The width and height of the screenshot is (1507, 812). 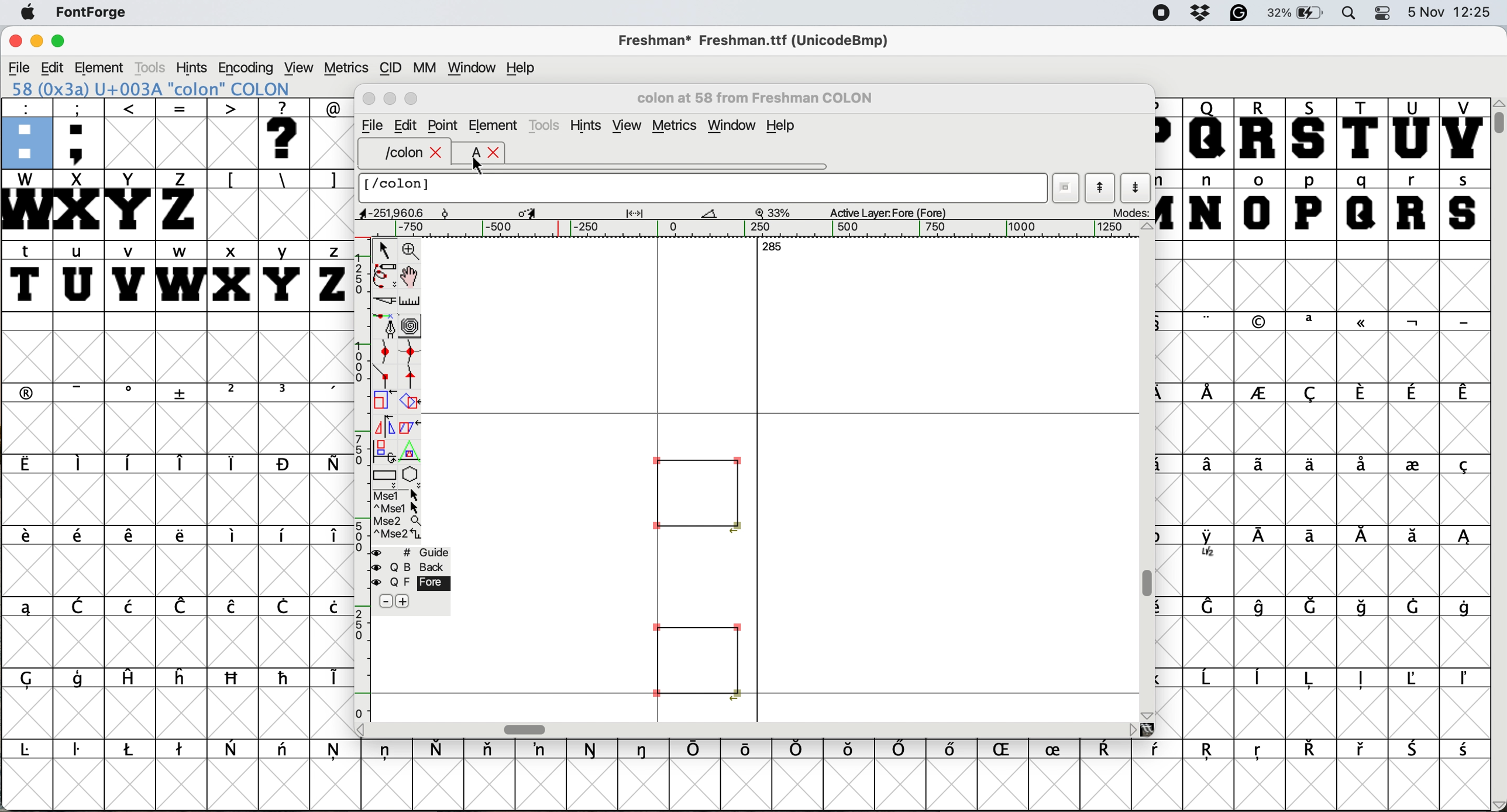 What do you see at coordinates (1264, 538) in the screenshot?
I see `symbol` at bounding box center [1264, 538].